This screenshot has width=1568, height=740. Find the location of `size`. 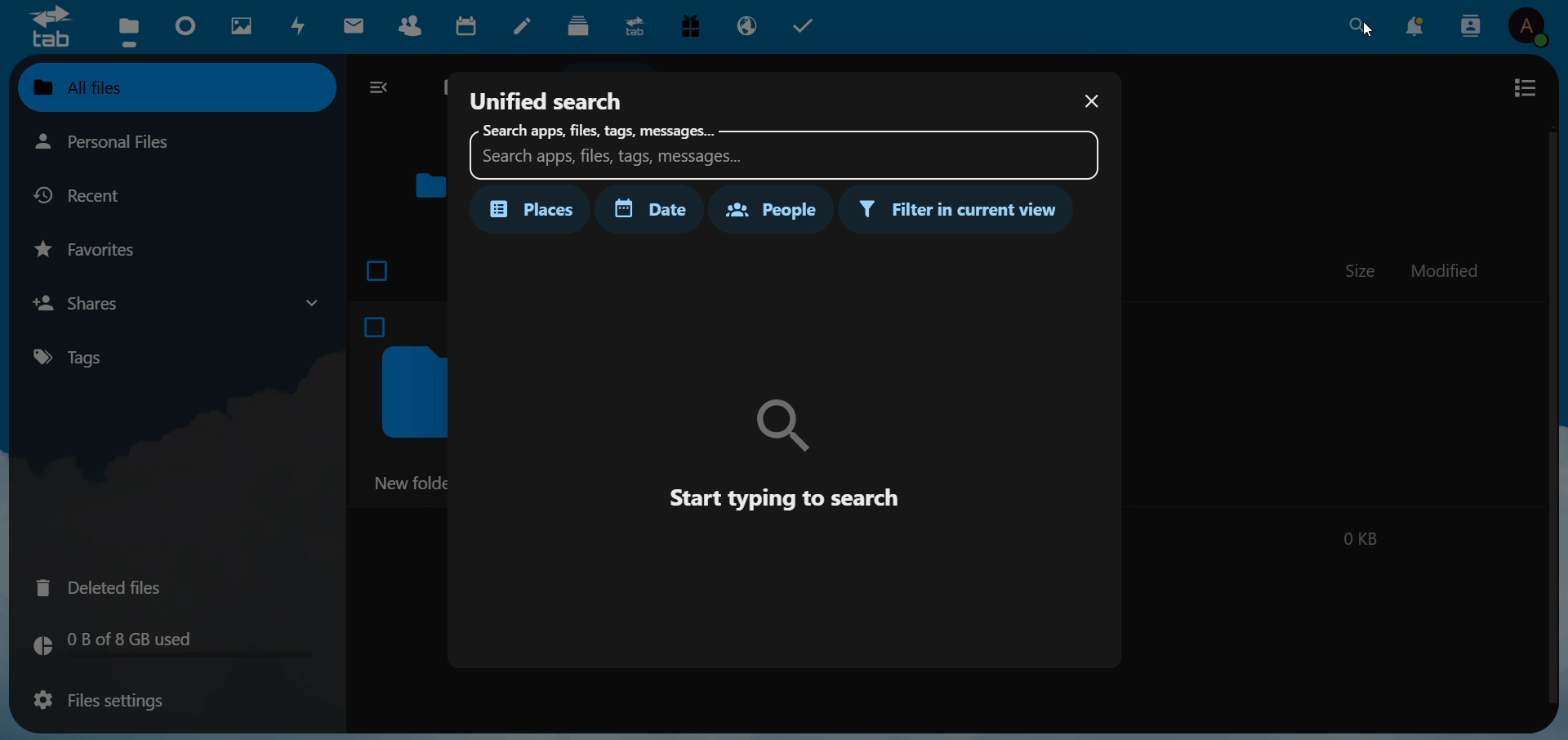

size is located at coordinates (1361, 270).